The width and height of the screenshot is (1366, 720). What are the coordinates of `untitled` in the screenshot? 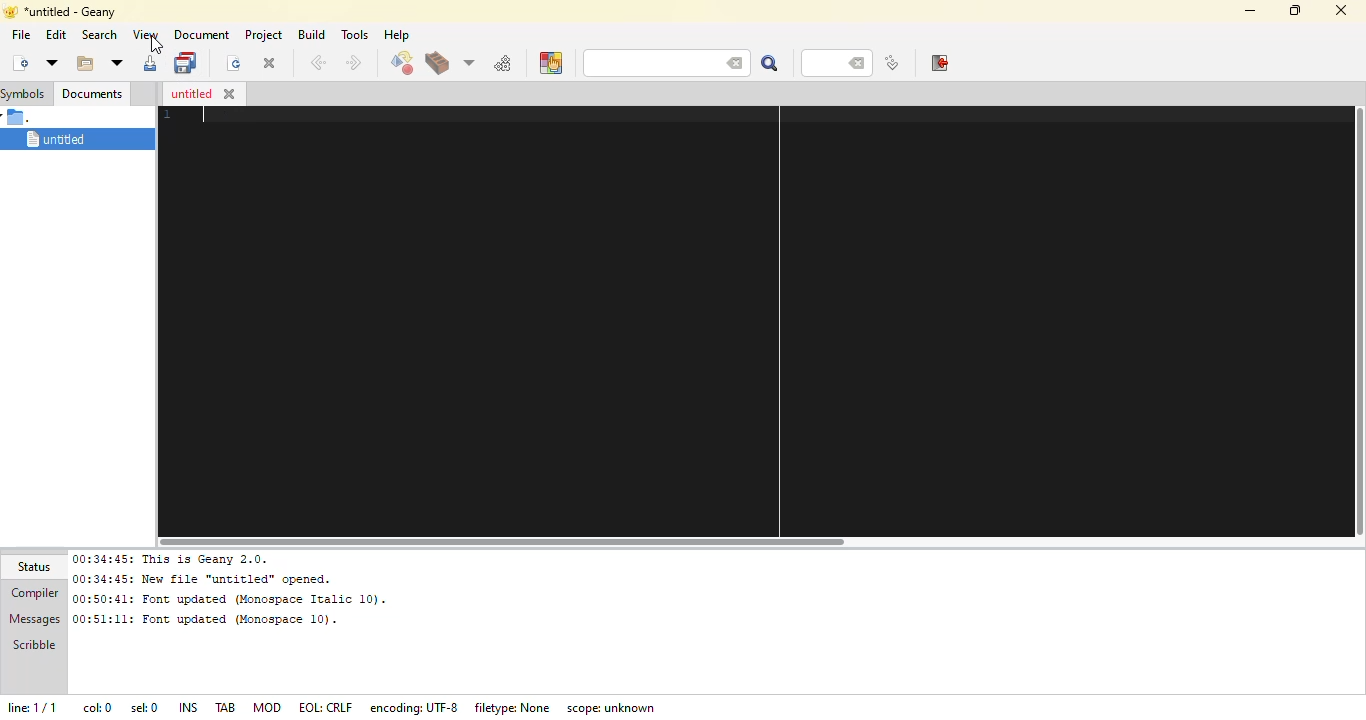 It's located at (189, 94).